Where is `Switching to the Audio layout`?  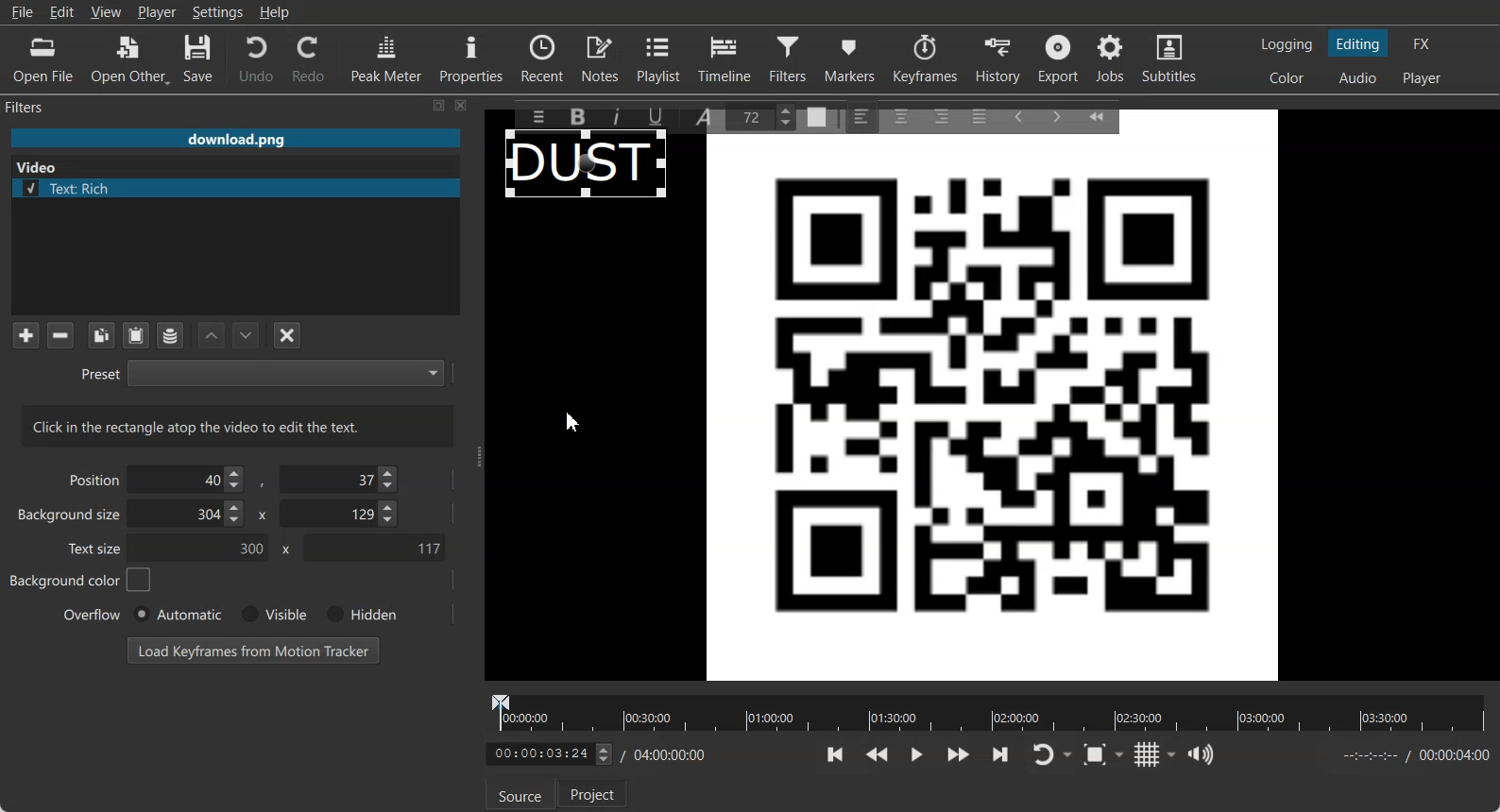
Switching to the Audio layout is located at coordinates (1359, 78).